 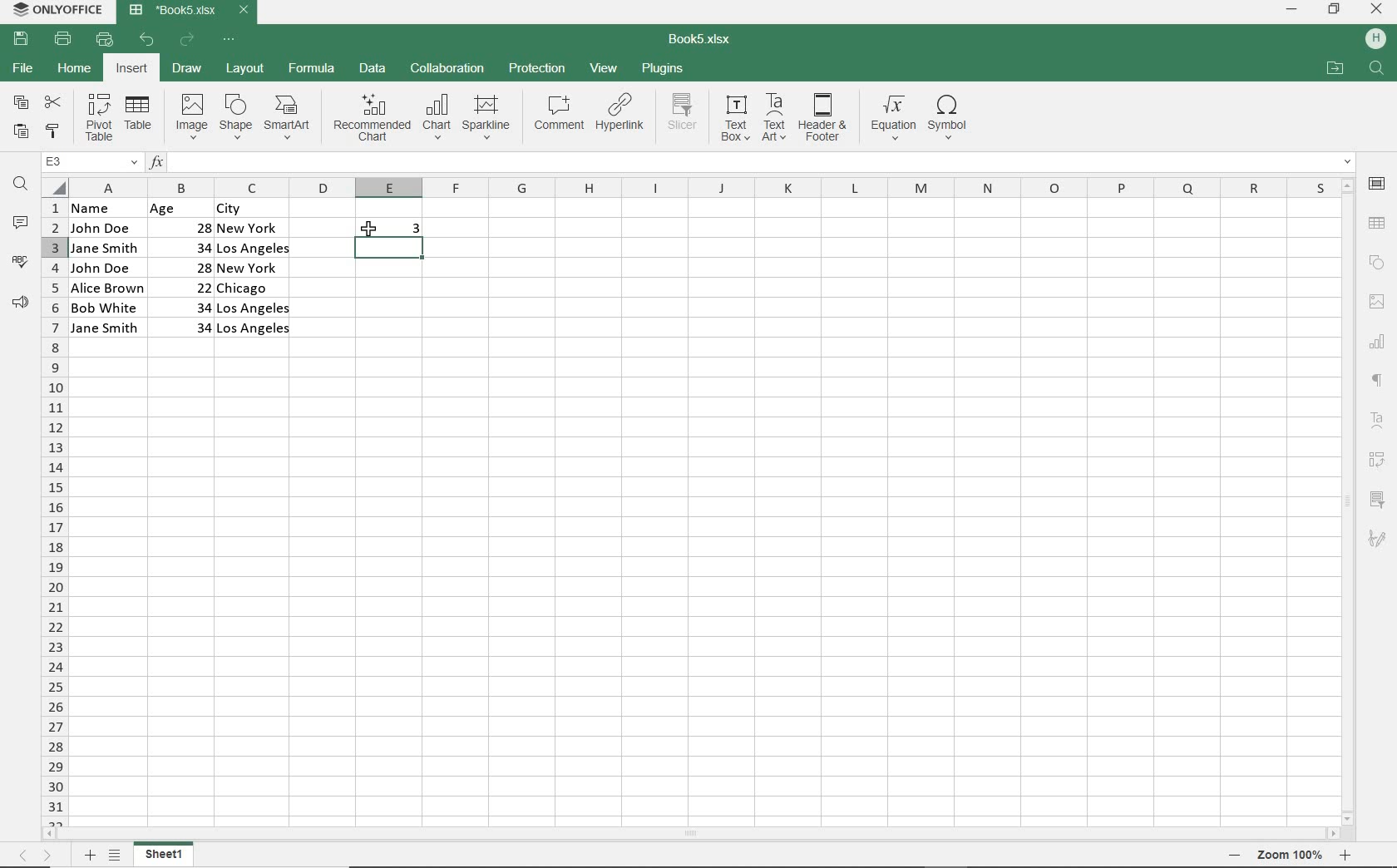 What do you see at coordinates (375, 68) in the screenshot?
I see `DATA` at bounding box center [375, 68].